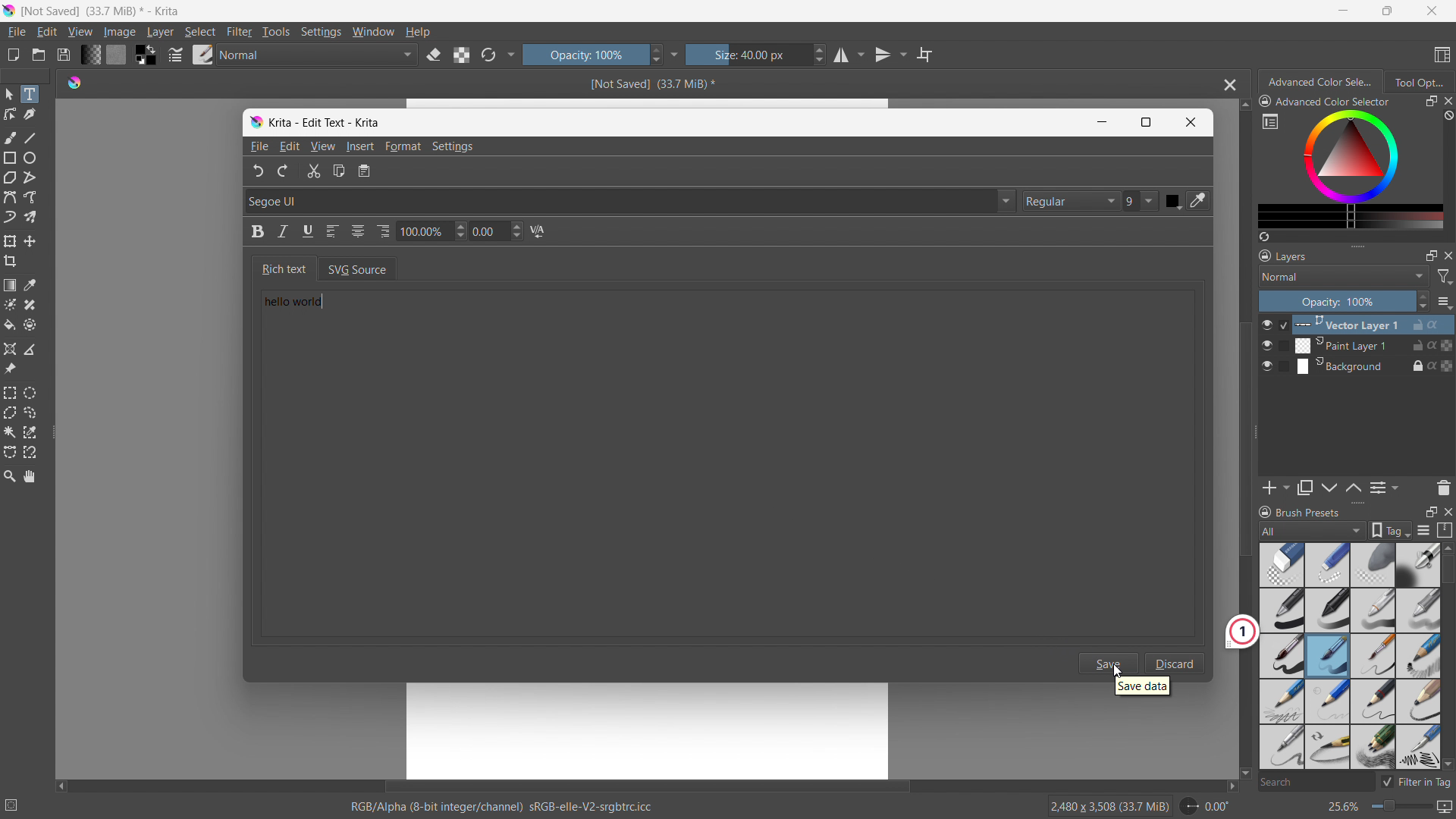 The width and height of the screenshot is (1456, 819). I want to click on scroll down, so click(1244, 774).